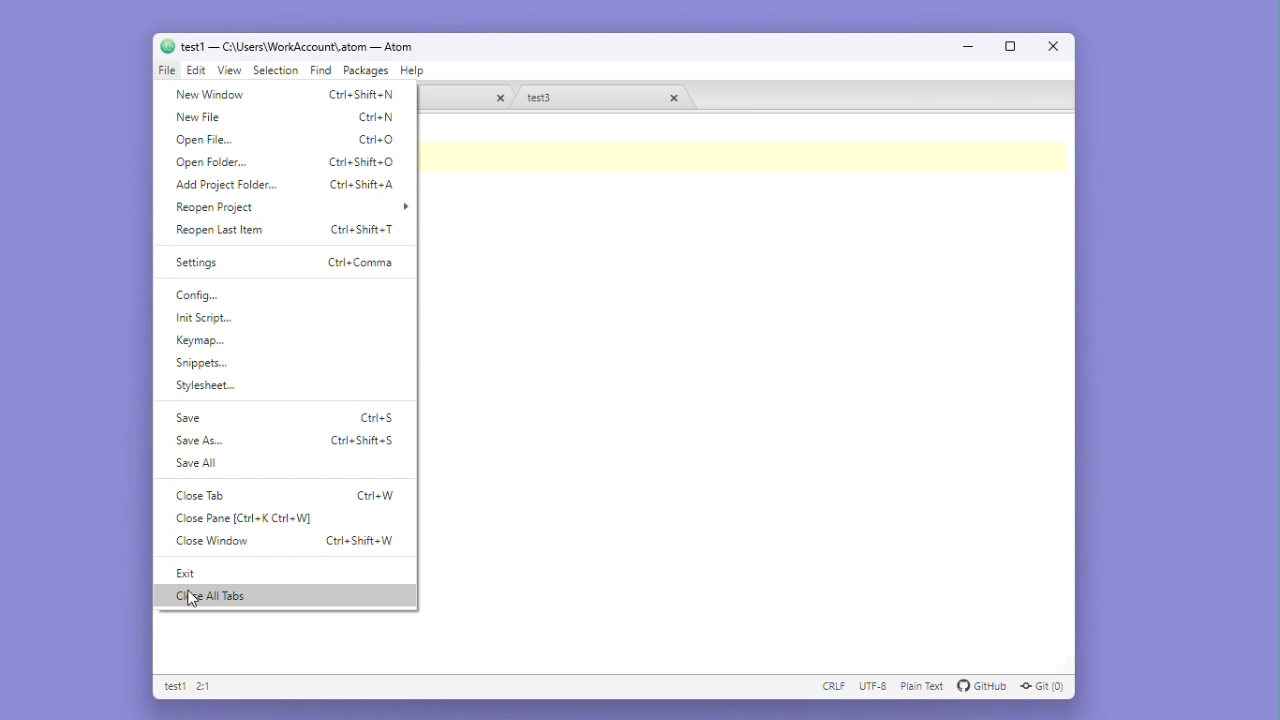  What do you see at coordinates (168, 72) in the screenshot?
I see `File` at bounding box center [168, 72].